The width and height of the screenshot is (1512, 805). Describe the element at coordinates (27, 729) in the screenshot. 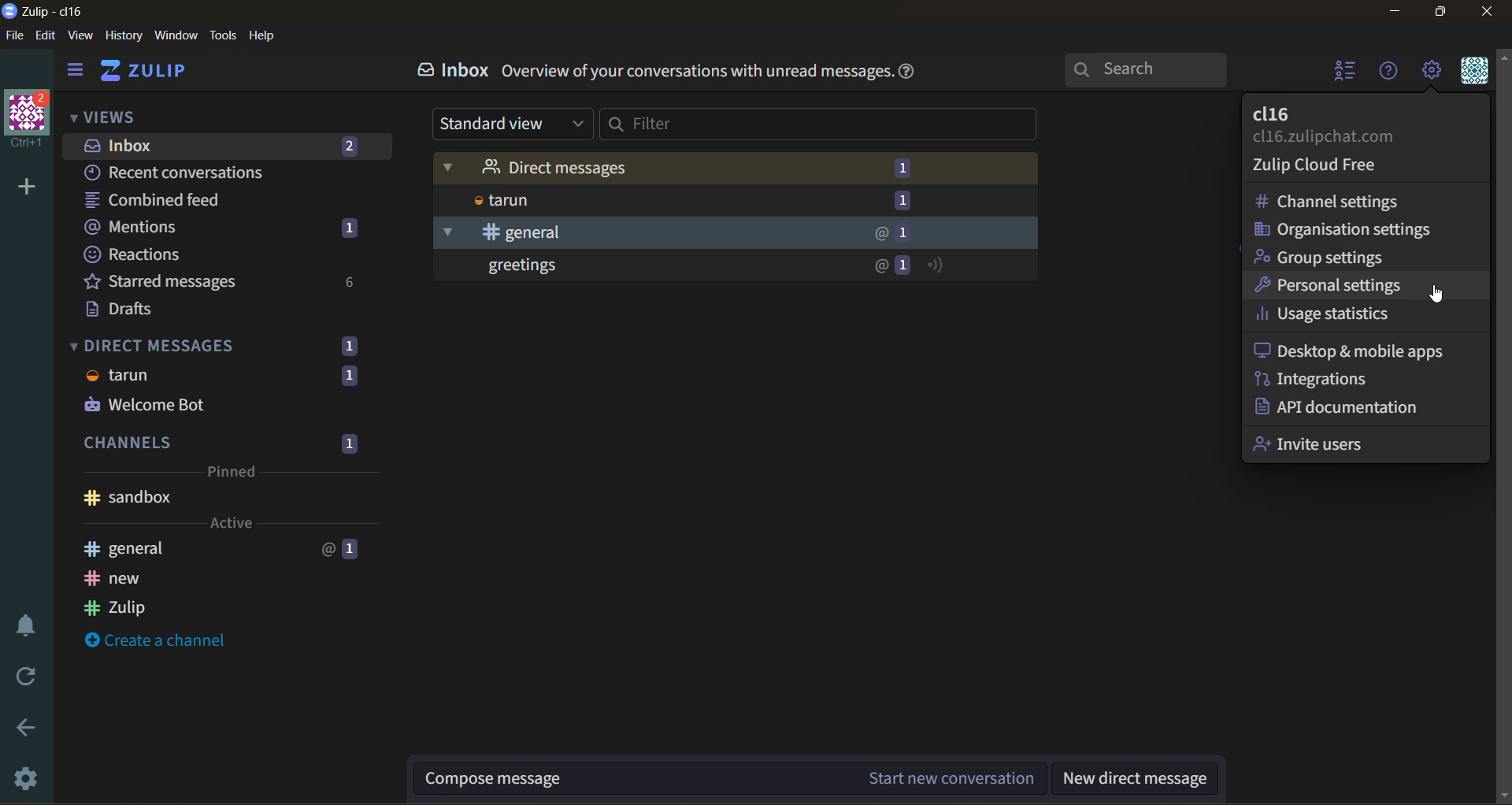

I see `go back` at that location.